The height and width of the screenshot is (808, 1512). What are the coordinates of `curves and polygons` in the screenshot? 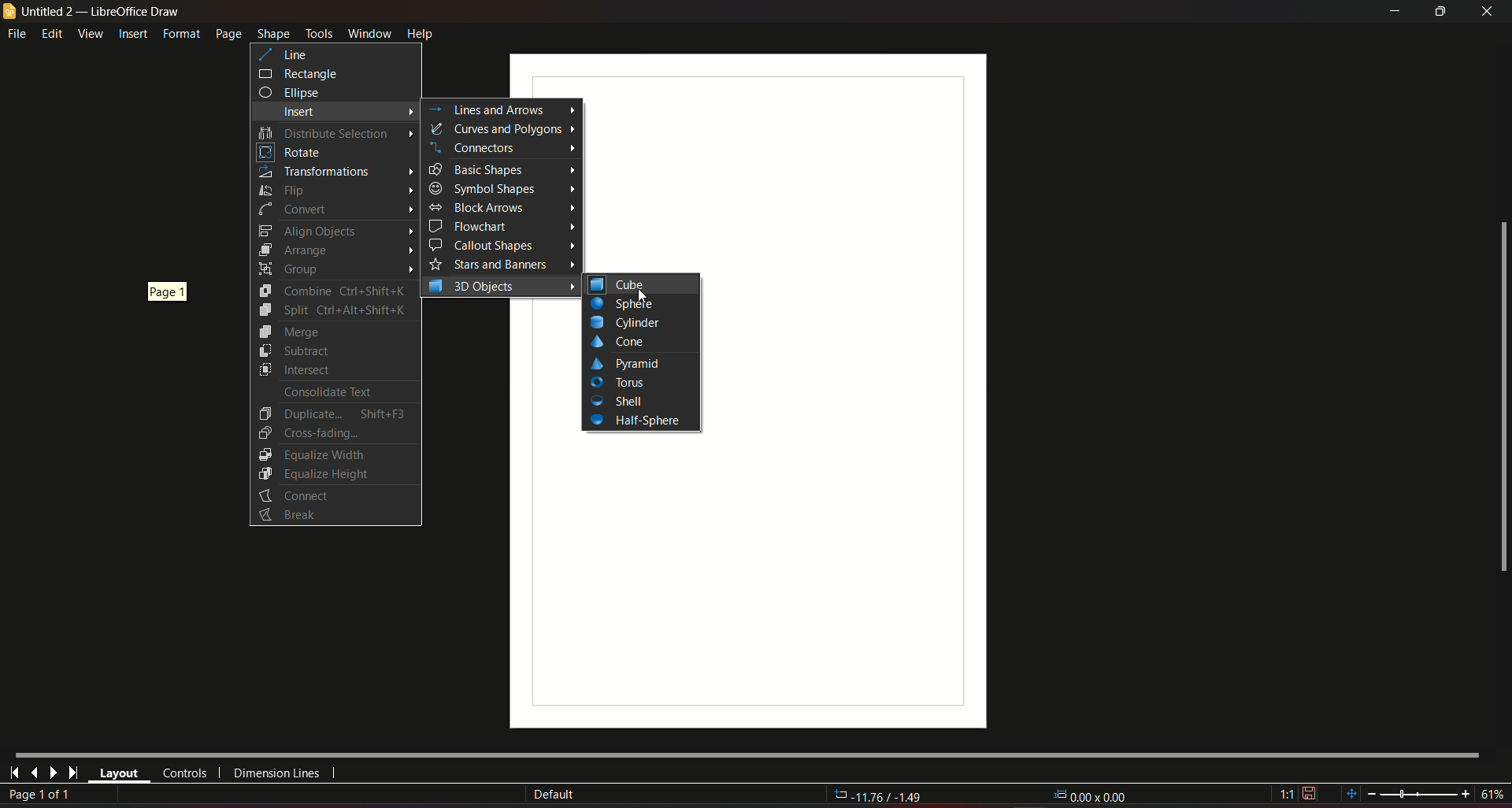 It's located at (495, 129).